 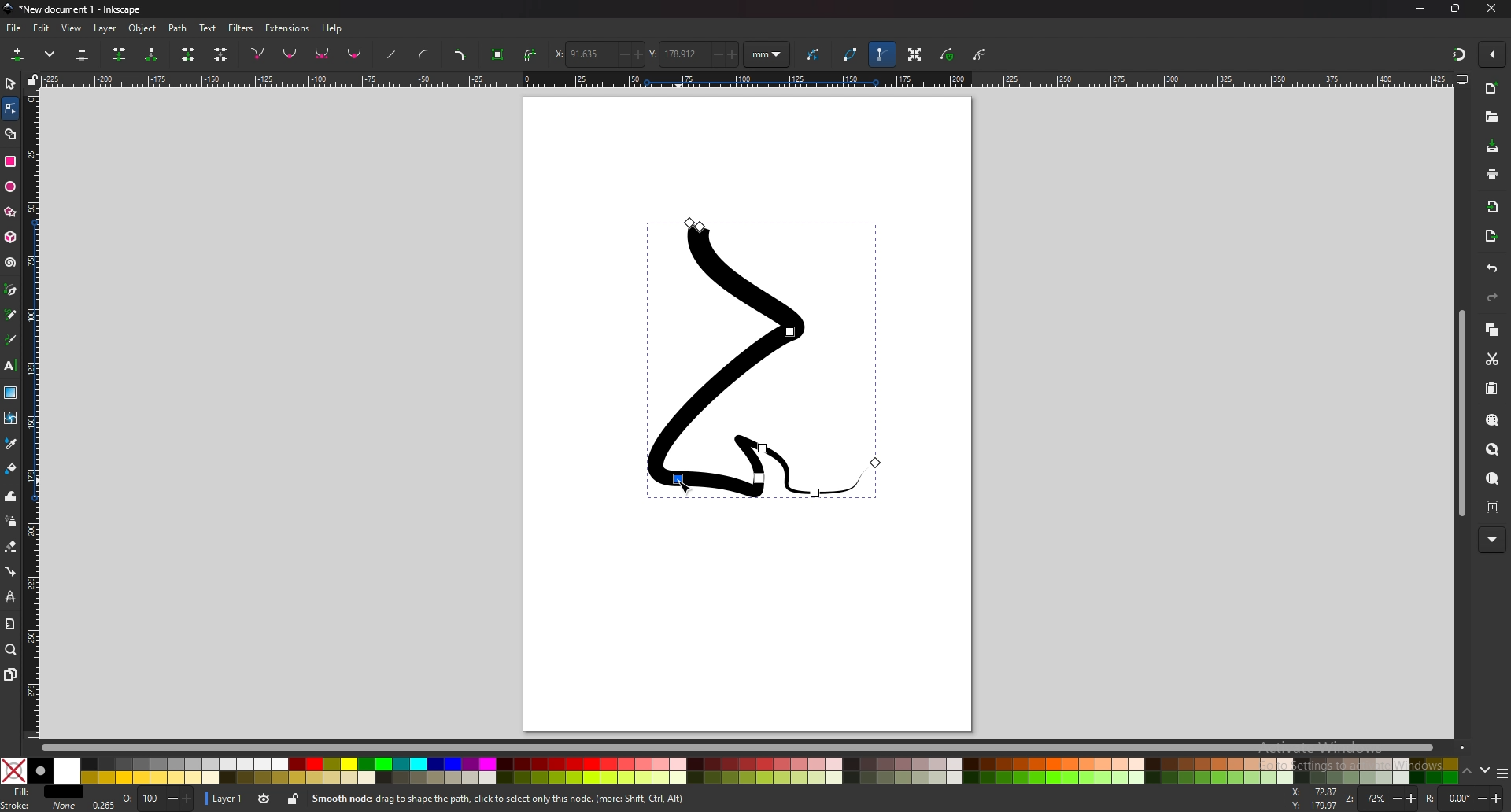 What do you see at coordinates (31, 79) in the screenshot?
I see `lock guide` at bounding box center [31, 79].